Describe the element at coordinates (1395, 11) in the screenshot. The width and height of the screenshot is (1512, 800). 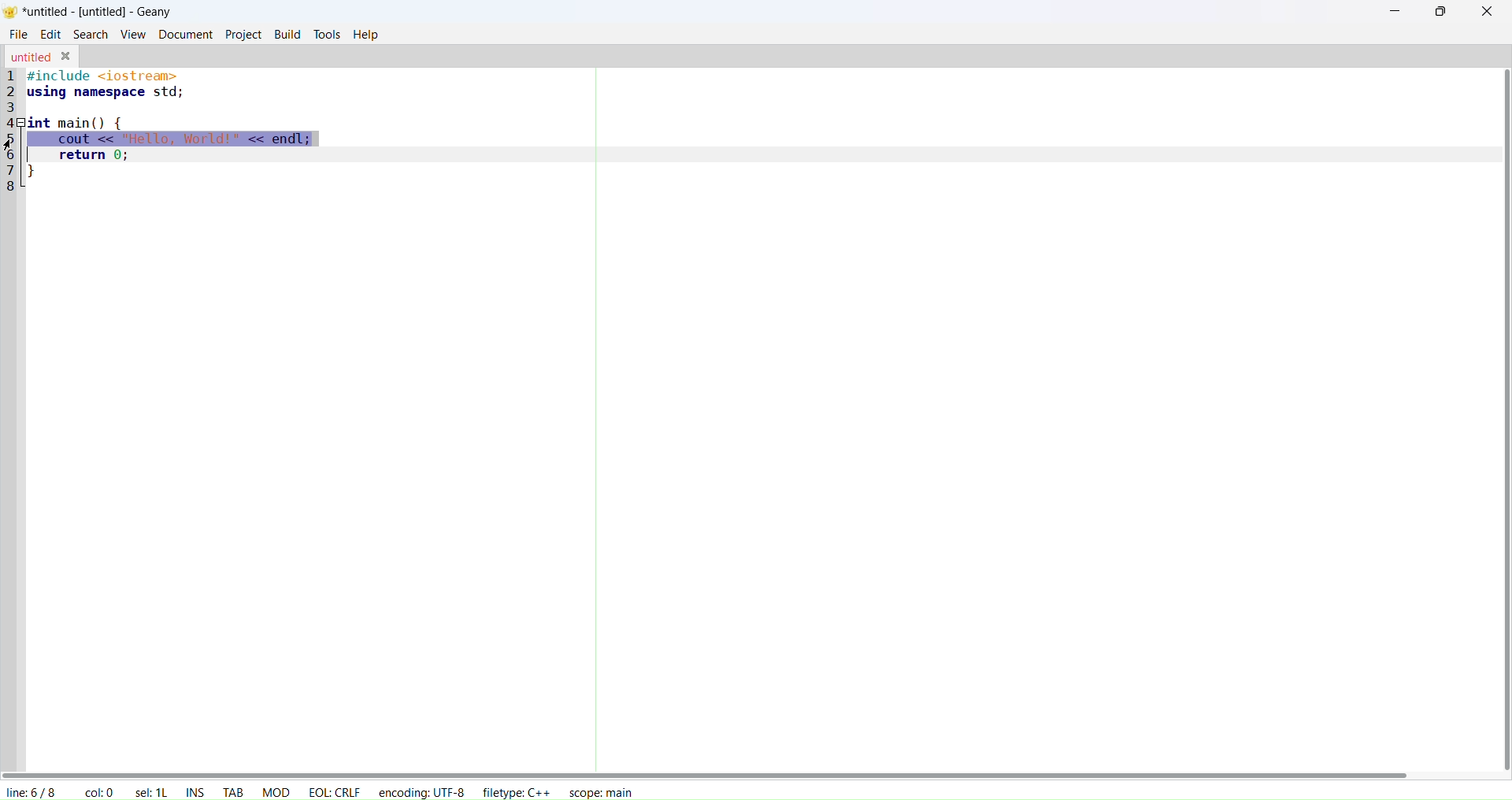
I see `minimize` at that location.